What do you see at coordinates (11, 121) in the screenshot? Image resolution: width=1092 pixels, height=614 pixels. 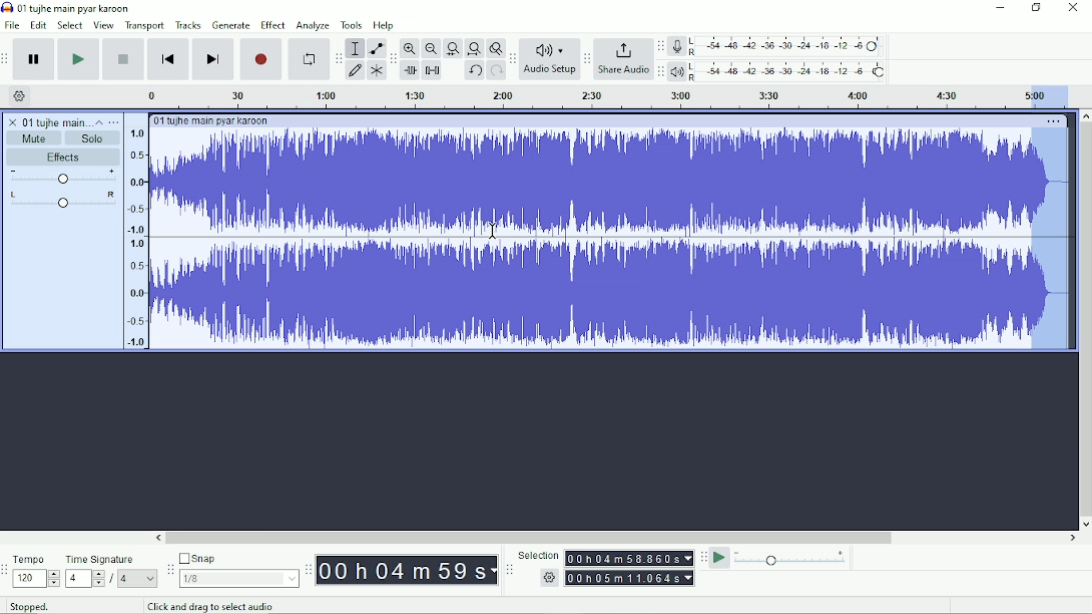 I see `close` at bounding box center [11, 121].